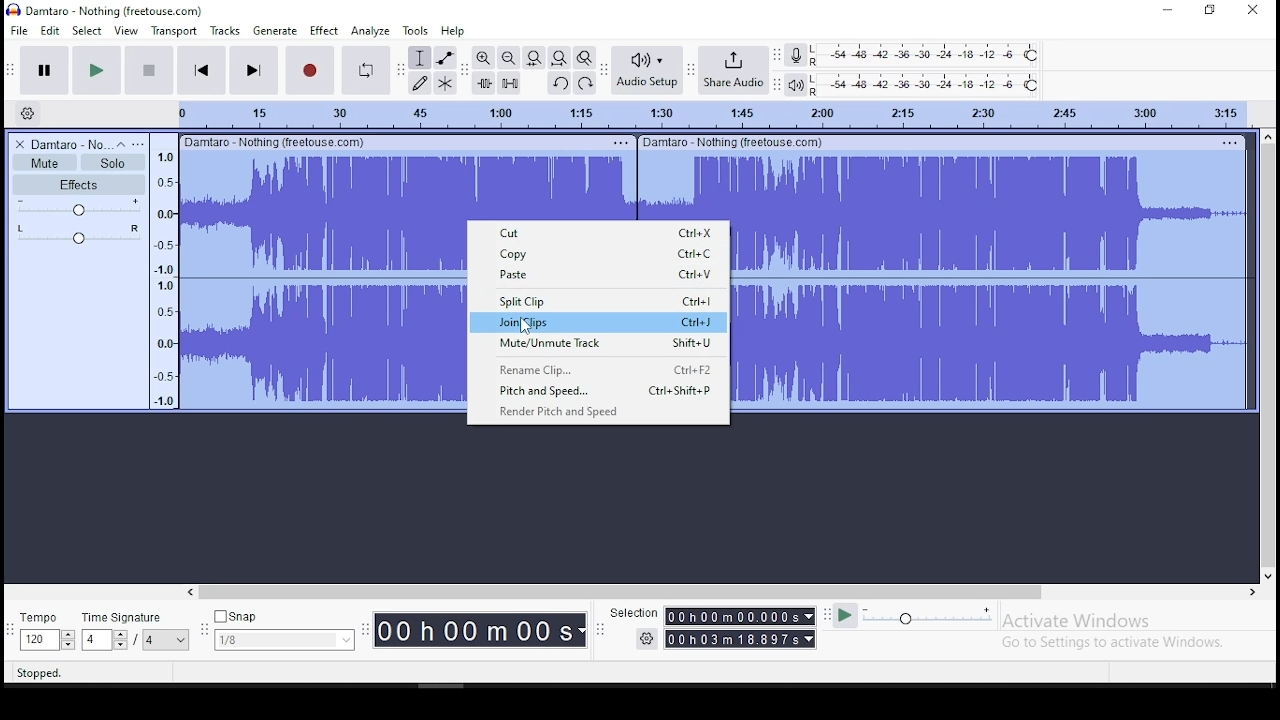  What do you see at coordinates (599, 300) in the screenshot?
I see `split clips ctrl+i` at bounding box center [599, 300].